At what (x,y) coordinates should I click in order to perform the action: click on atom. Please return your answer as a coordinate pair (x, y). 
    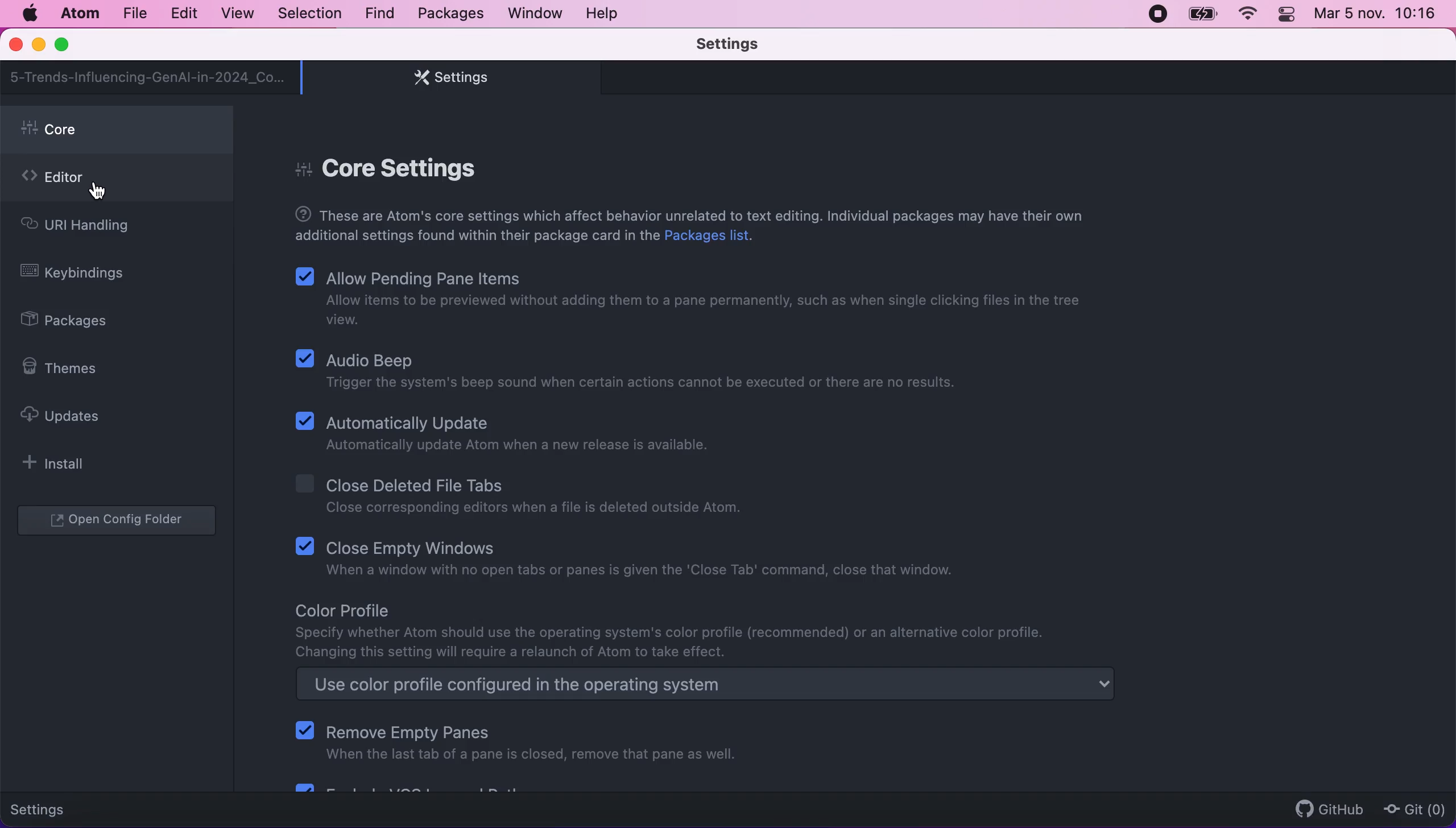
    Looking at the image, I should click on (79, 13).